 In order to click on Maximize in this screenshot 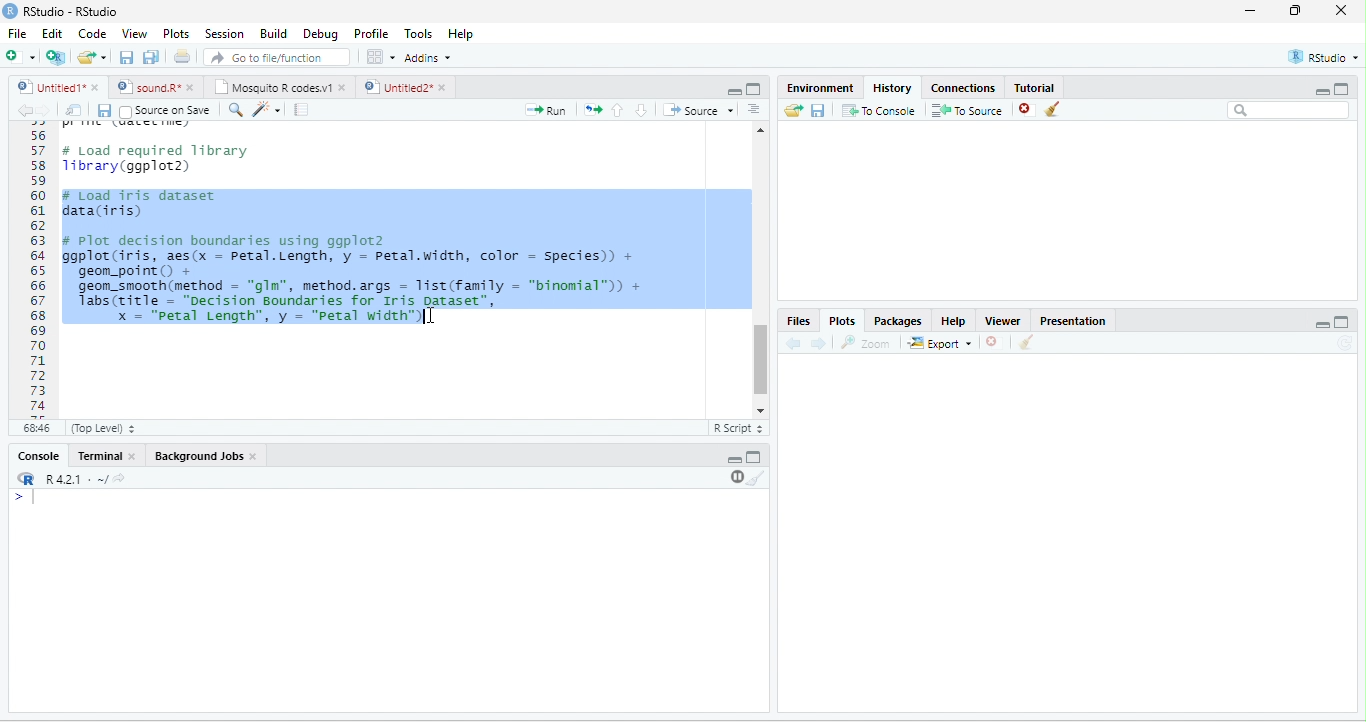, I will do `click(754, 457)`.